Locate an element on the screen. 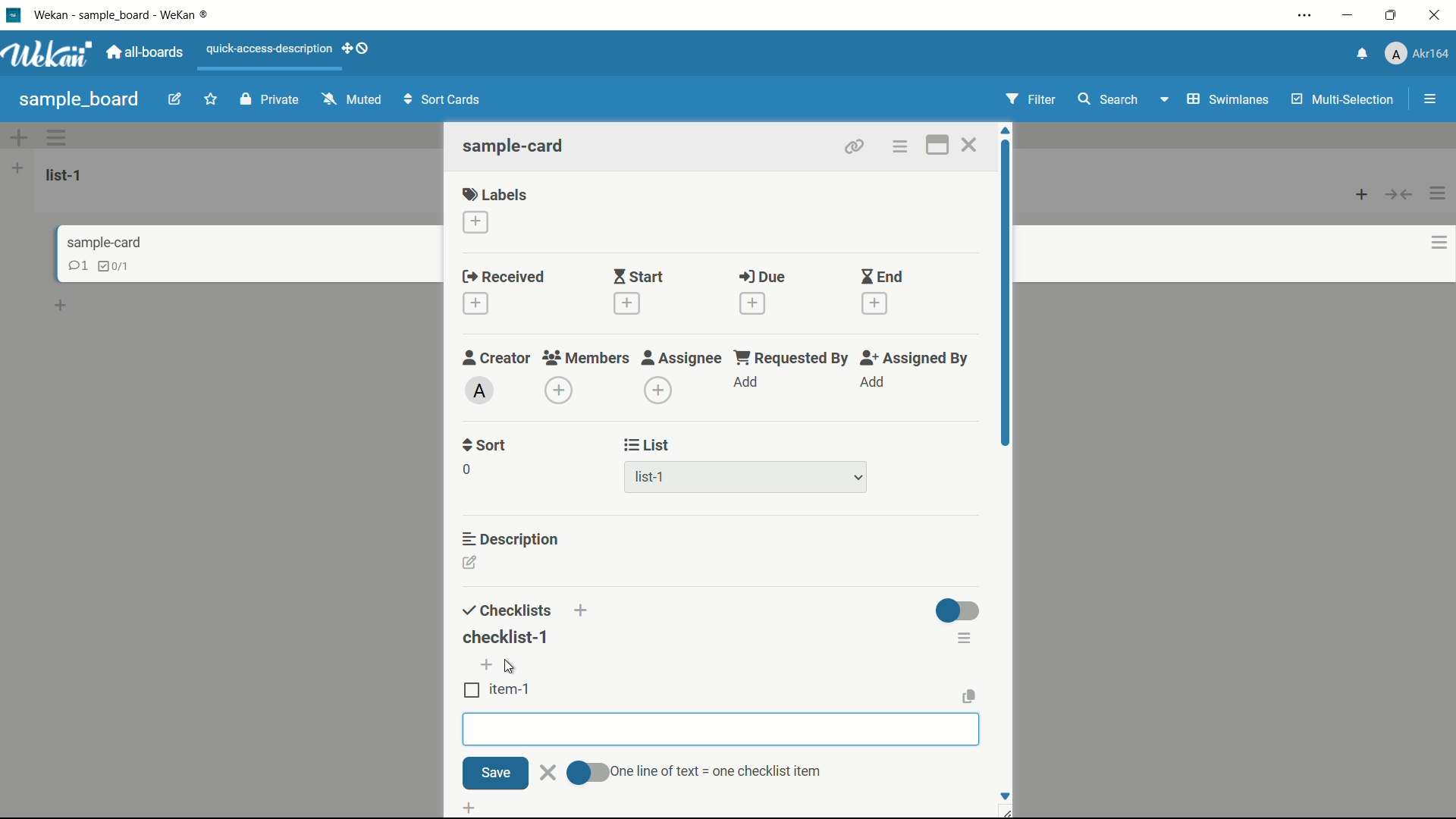 The width and height of the screenshot is (1456, 819). add is located at coordinates (485, 665).